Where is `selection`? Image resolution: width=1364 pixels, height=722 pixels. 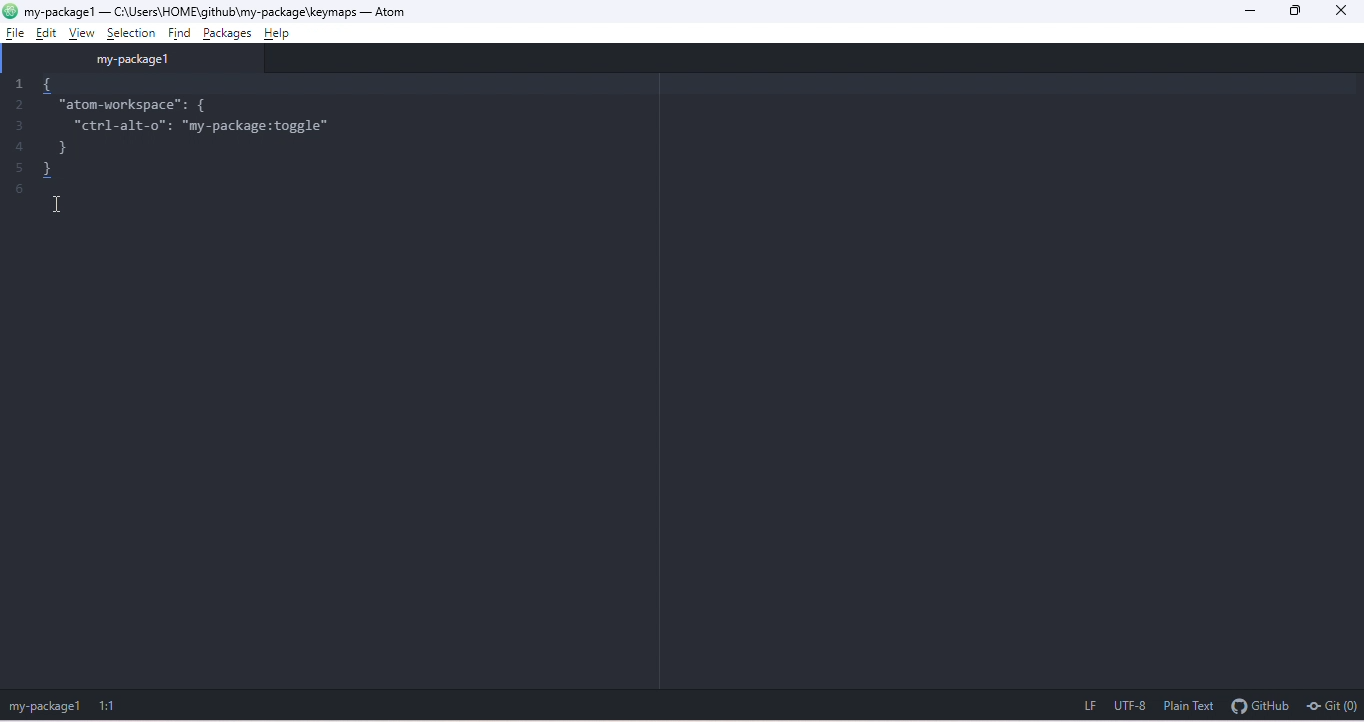 selection is located at coordinates (134, 31).